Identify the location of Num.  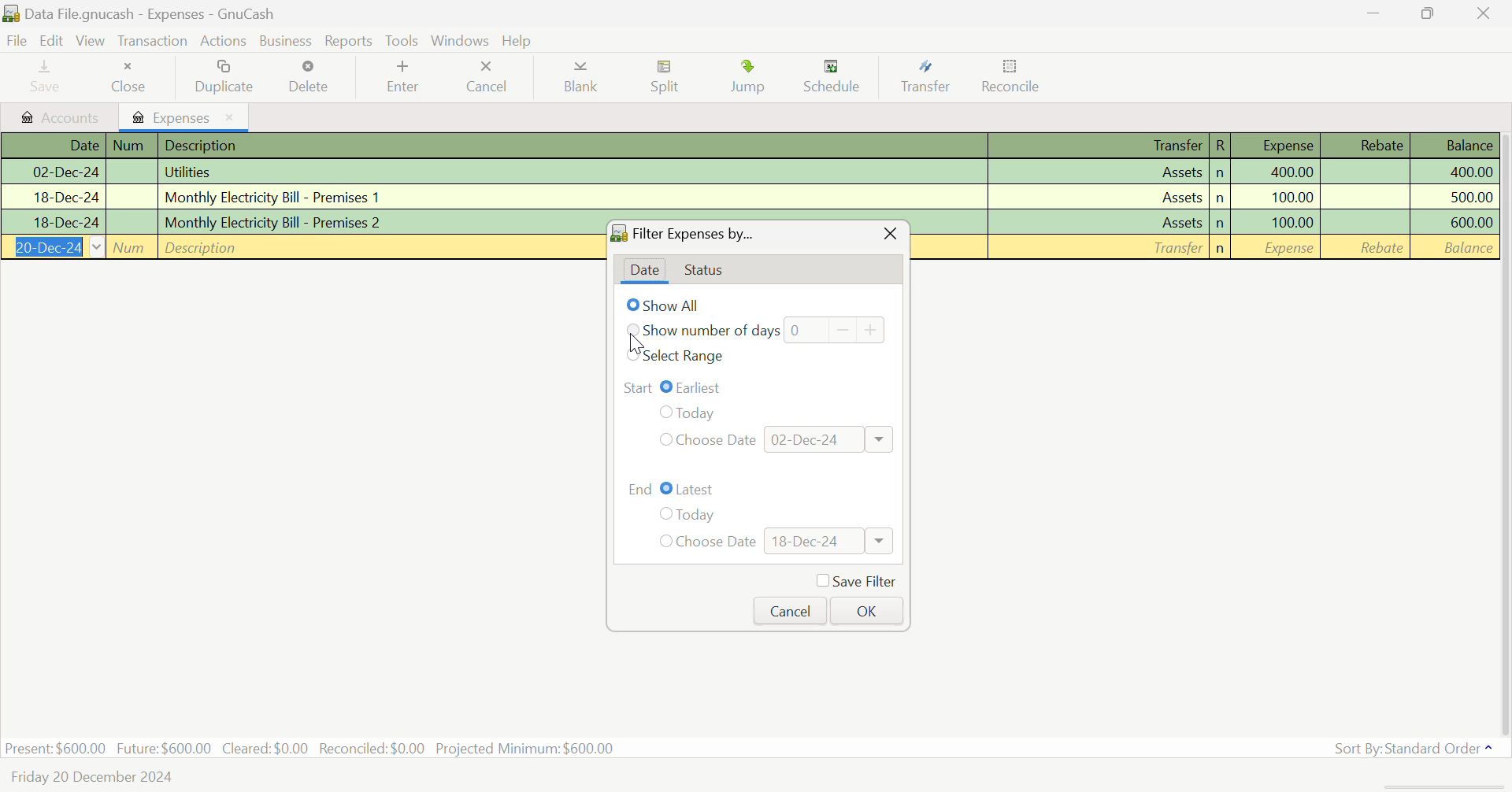
(129, 246).